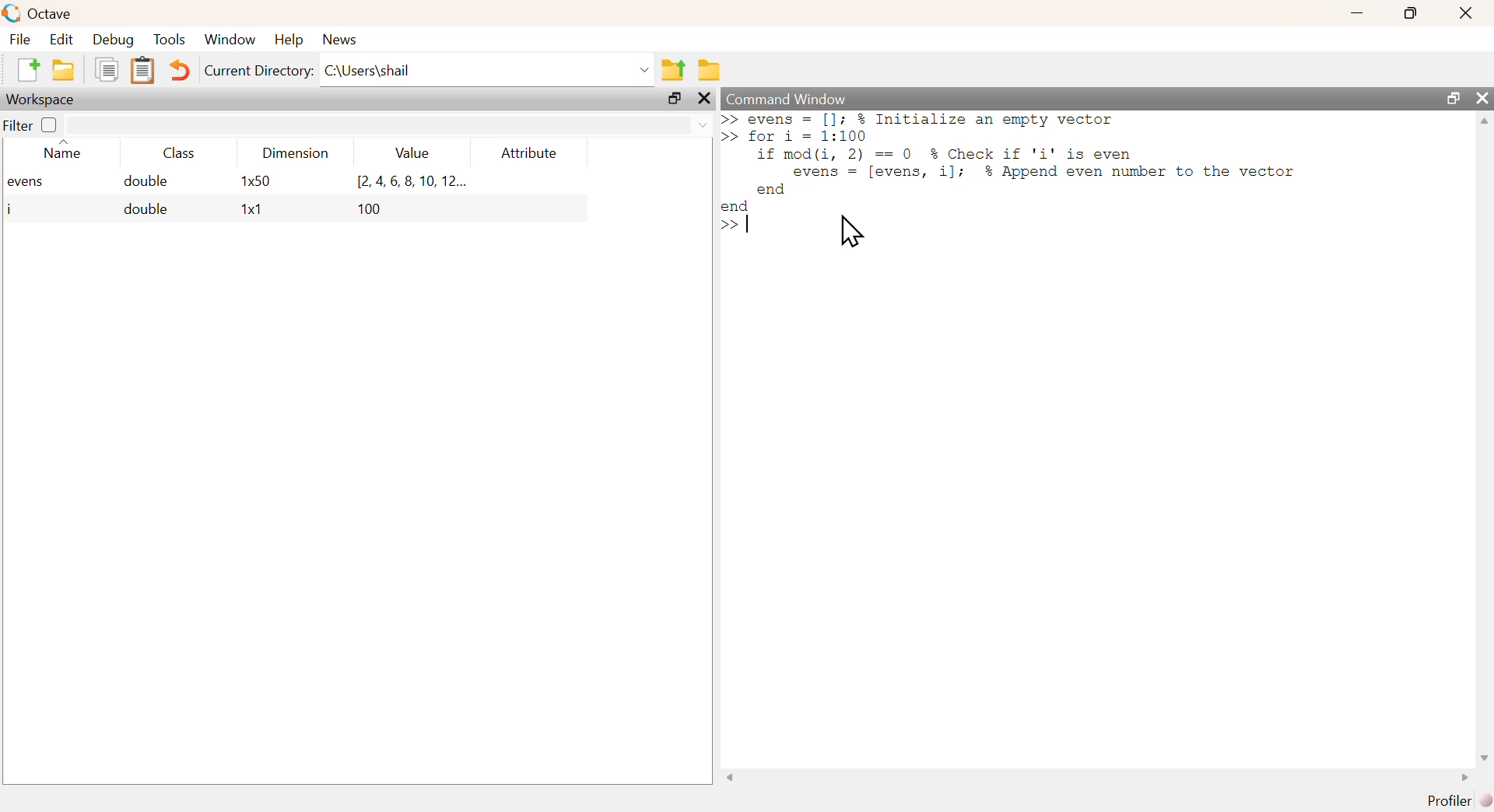 This screenshot has width=1494, height=812. I want to click on new script, so click(29, 72).